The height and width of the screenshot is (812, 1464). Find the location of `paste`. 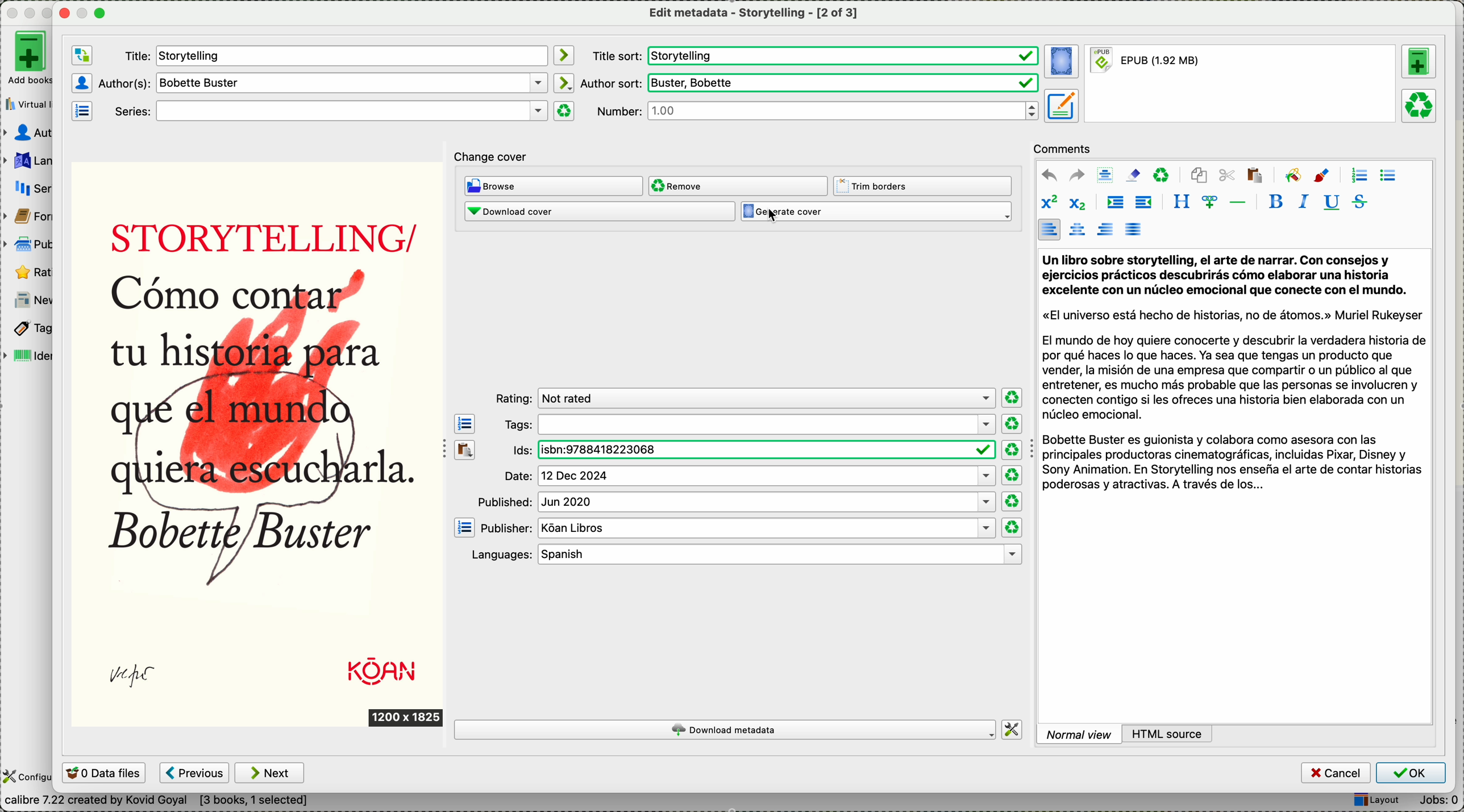

paste is located at coordinates (1255, 177).